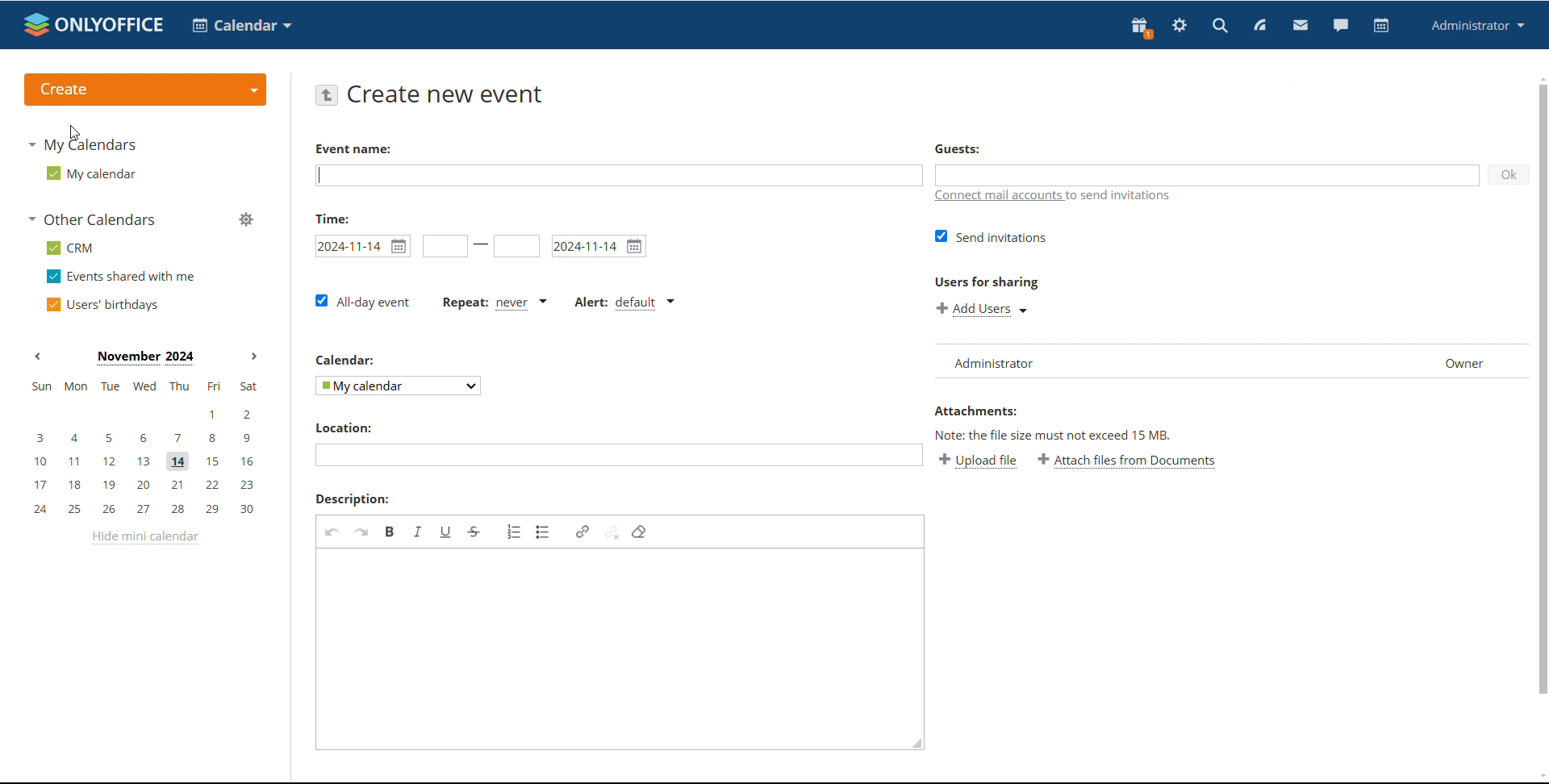 The height and width of the screenshot is (784, 1549). Describe the element at coordinates (516, 246) in the screenshot. I see `set end time` at that location.